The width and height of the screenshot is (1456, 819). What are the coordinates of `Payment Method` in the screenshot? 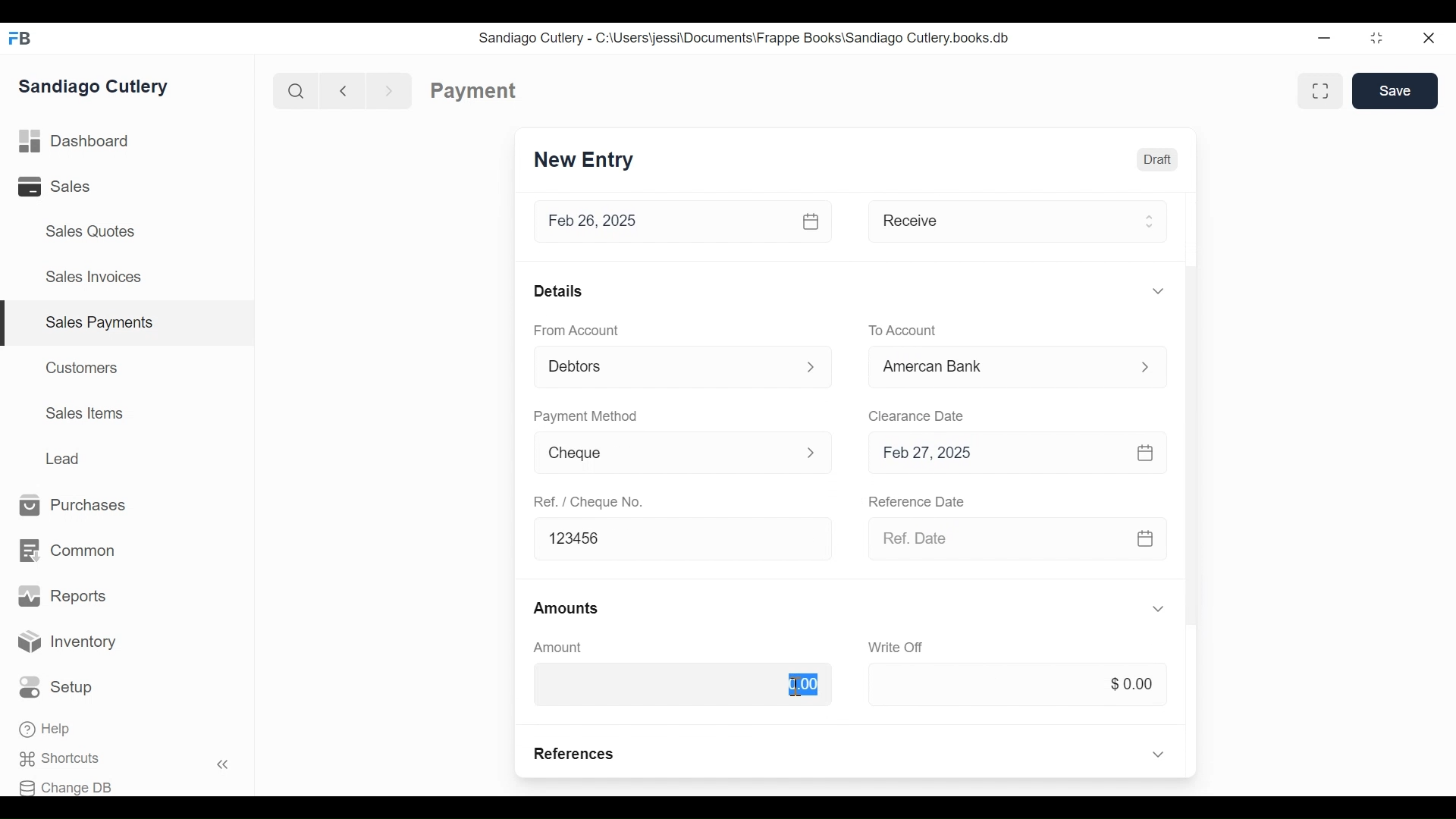 It's located at (585, 415).